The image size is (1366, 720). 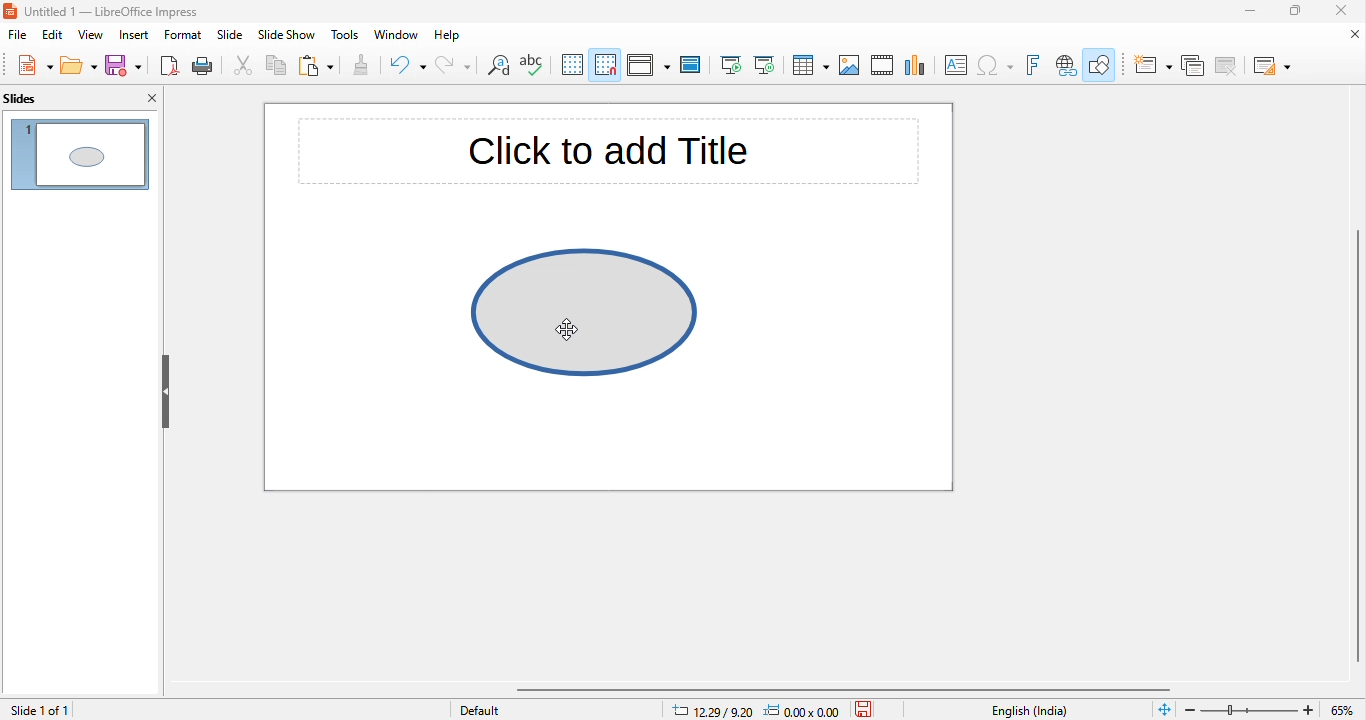 What do you see at coordinates (615, 158) in the screenshot?
I see `click to add title` at bounding box center [615, 158].